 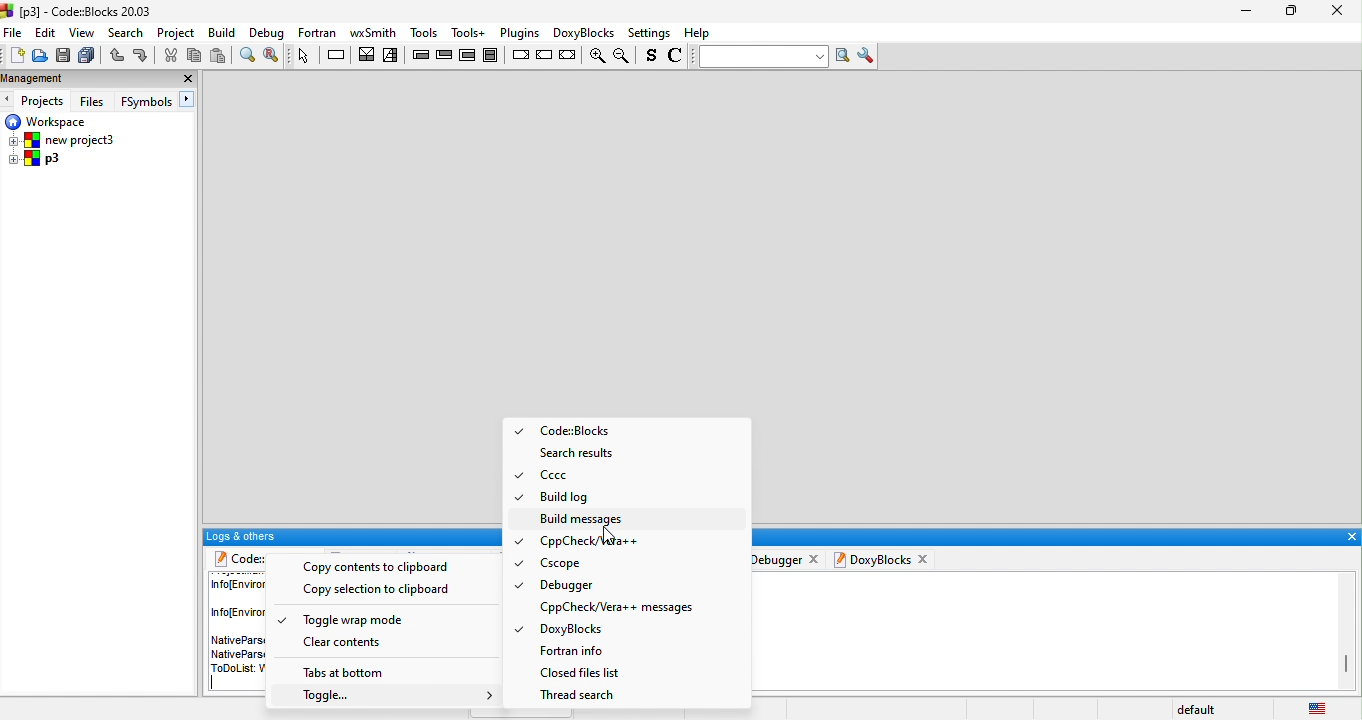 I want to click on toggle wrap mode, so click(x=346, y=620).